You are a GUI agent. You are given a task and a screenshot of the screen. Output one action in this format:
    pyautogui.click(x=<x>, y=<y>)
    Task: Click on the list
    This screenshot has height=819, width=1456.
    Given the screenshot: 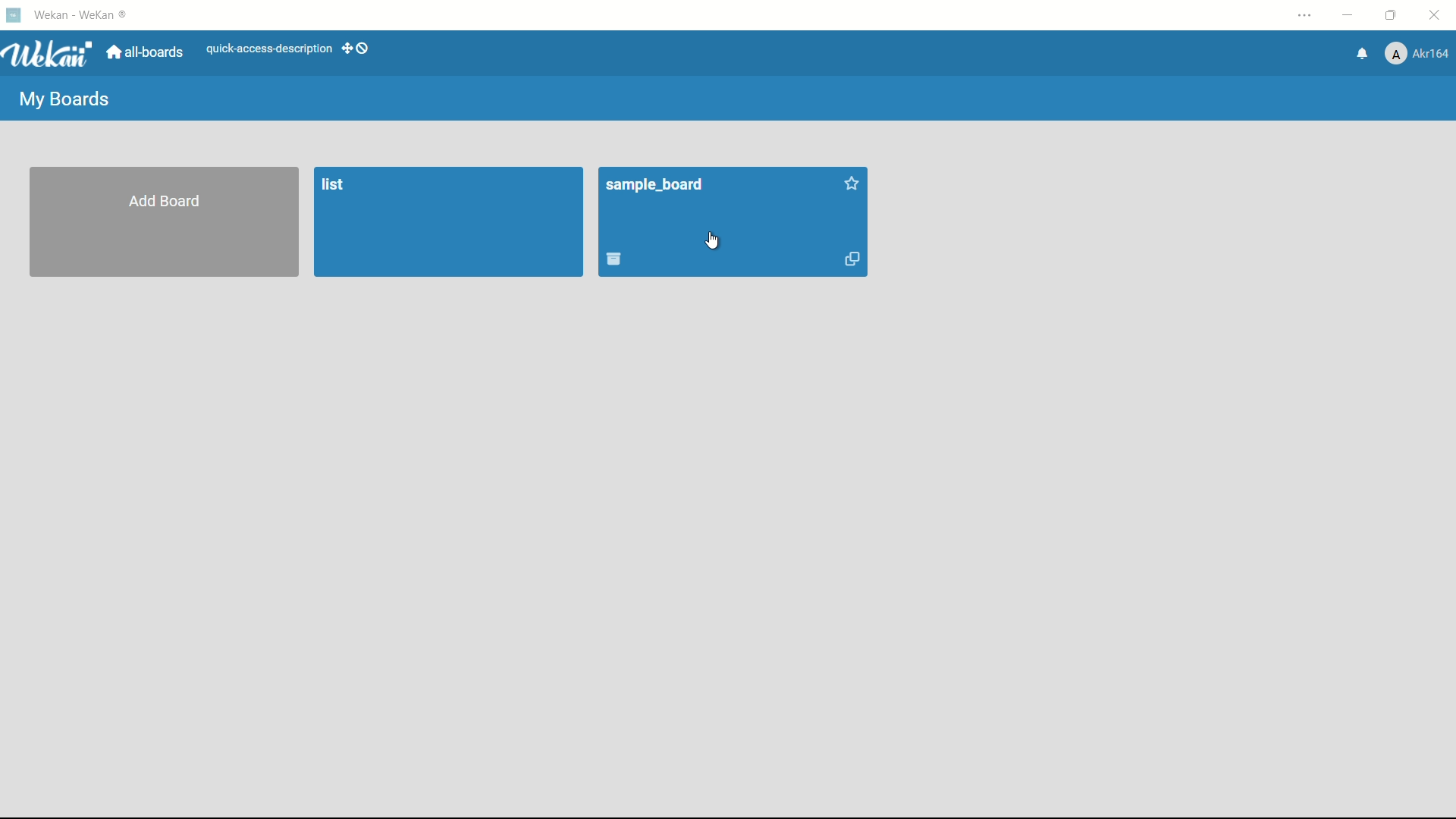 What is the action you would take?
    pyautogui.click(x=449, y=221)
    